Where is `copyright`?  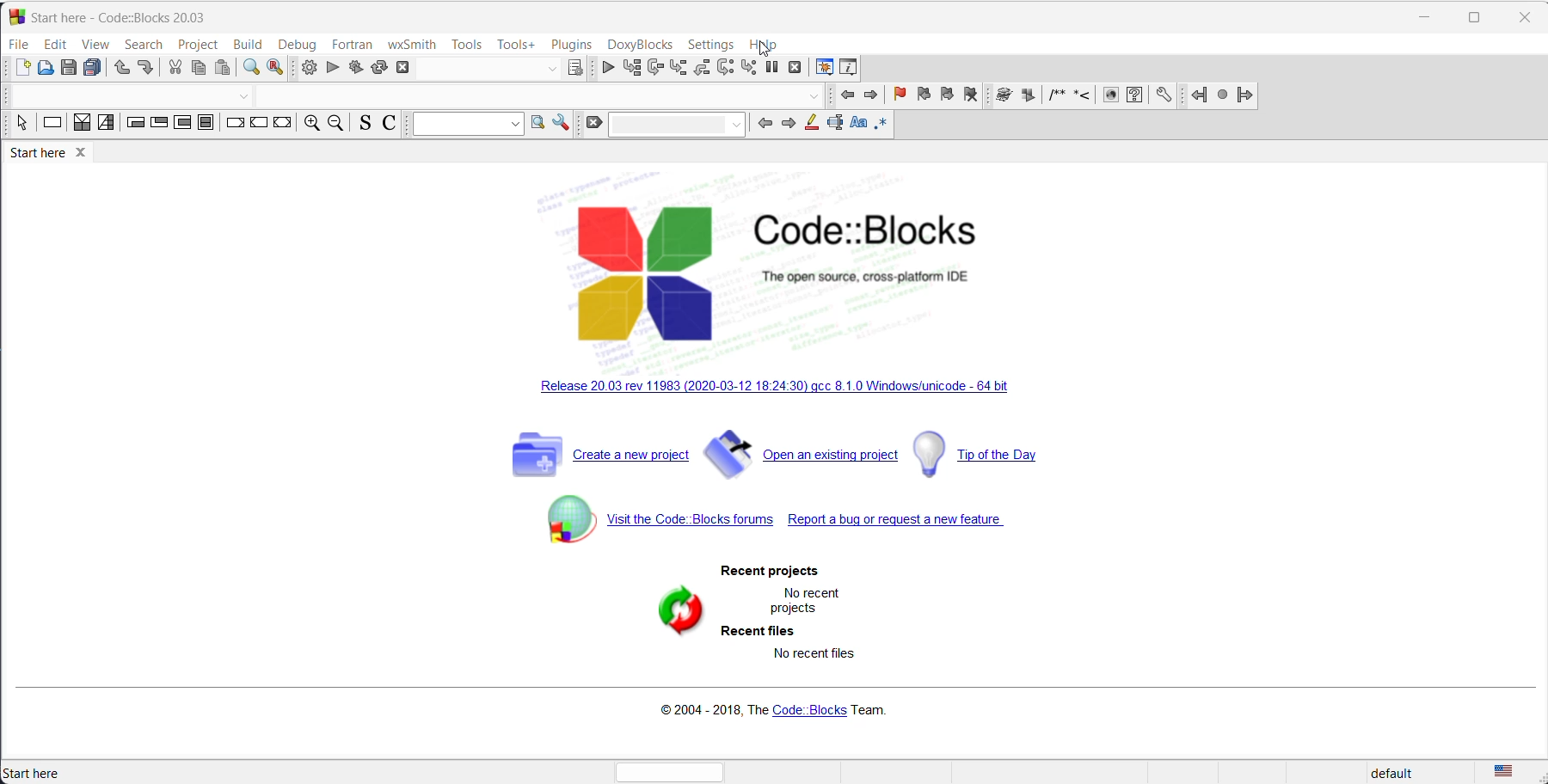
copyright is located at coordinates (779, 708).